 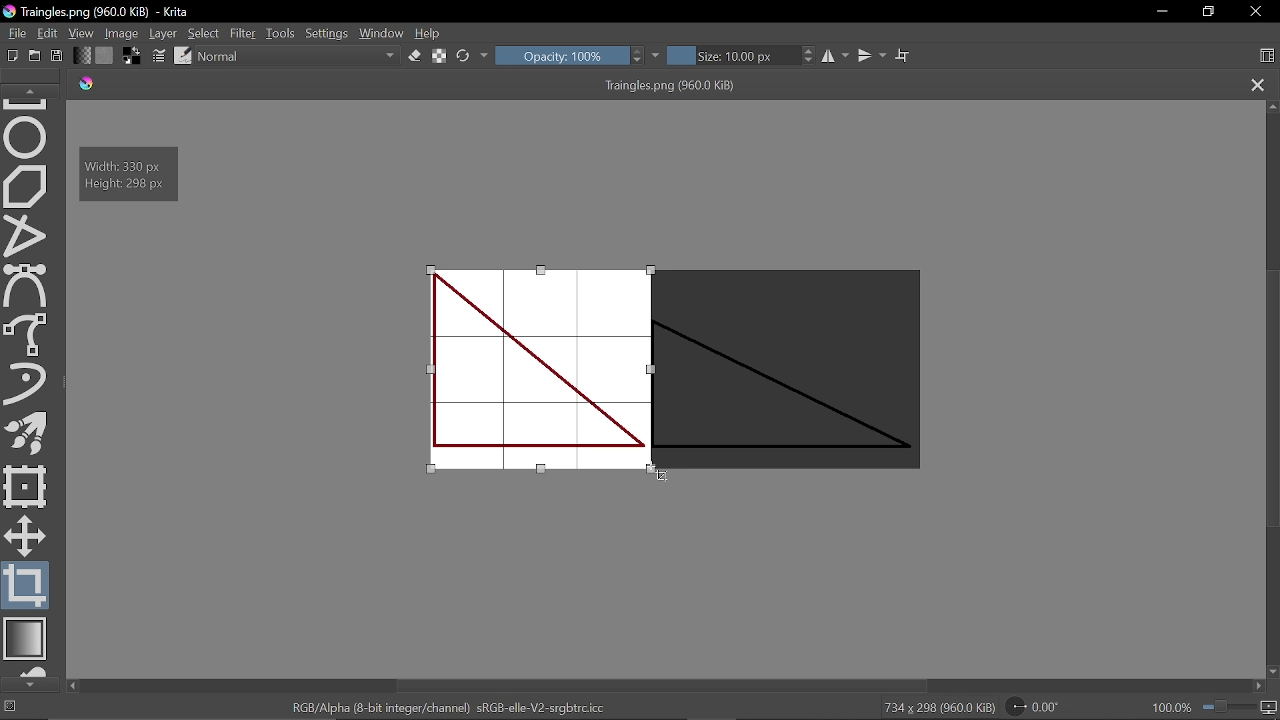 I want to click on Close tab, so click(x=1258, y=86).